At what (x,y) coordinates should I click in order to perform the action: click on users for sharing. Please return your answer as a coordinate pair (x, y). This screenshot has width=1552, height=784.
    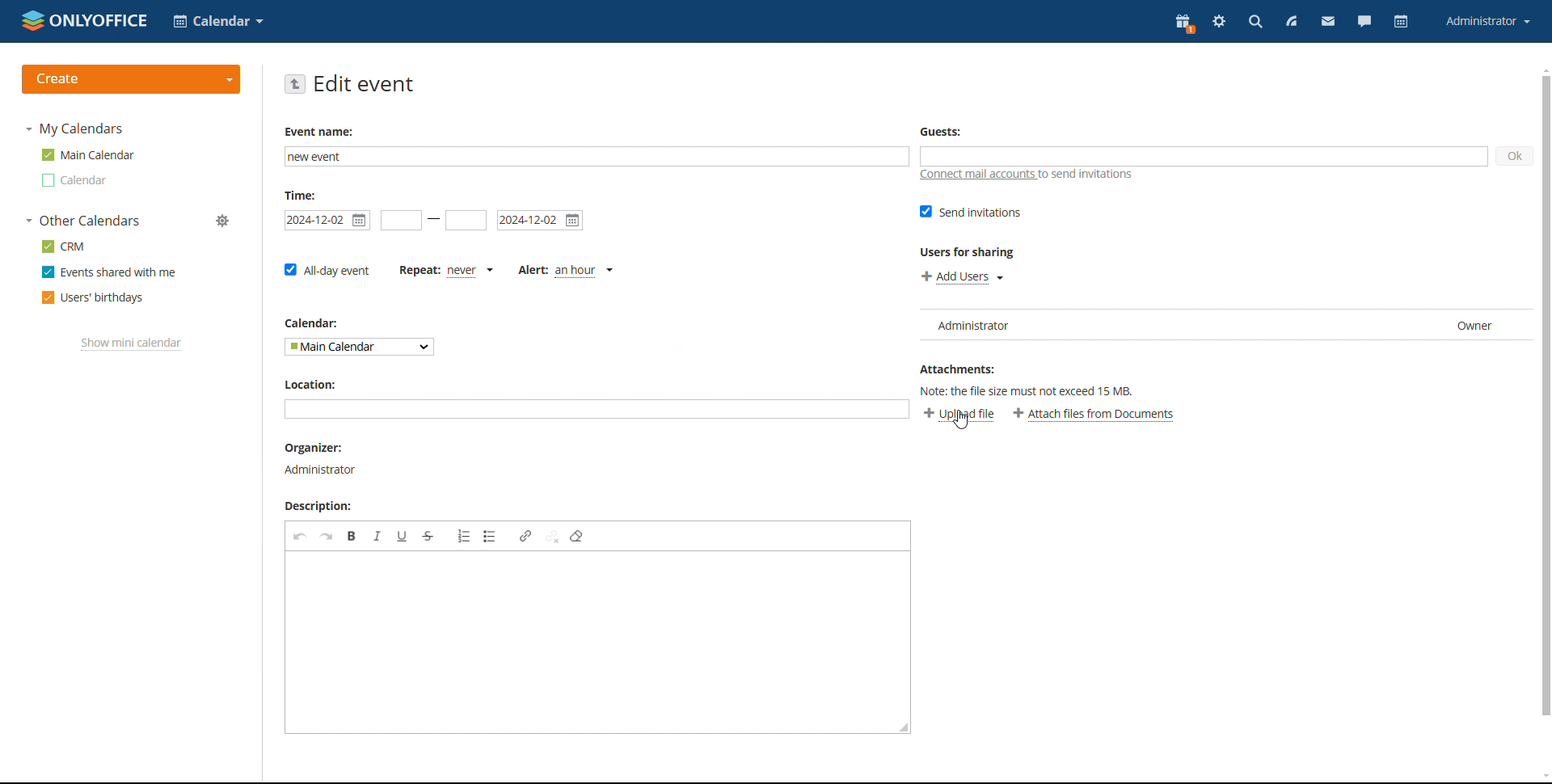
    Looking at the image, I should click on (969, 252).